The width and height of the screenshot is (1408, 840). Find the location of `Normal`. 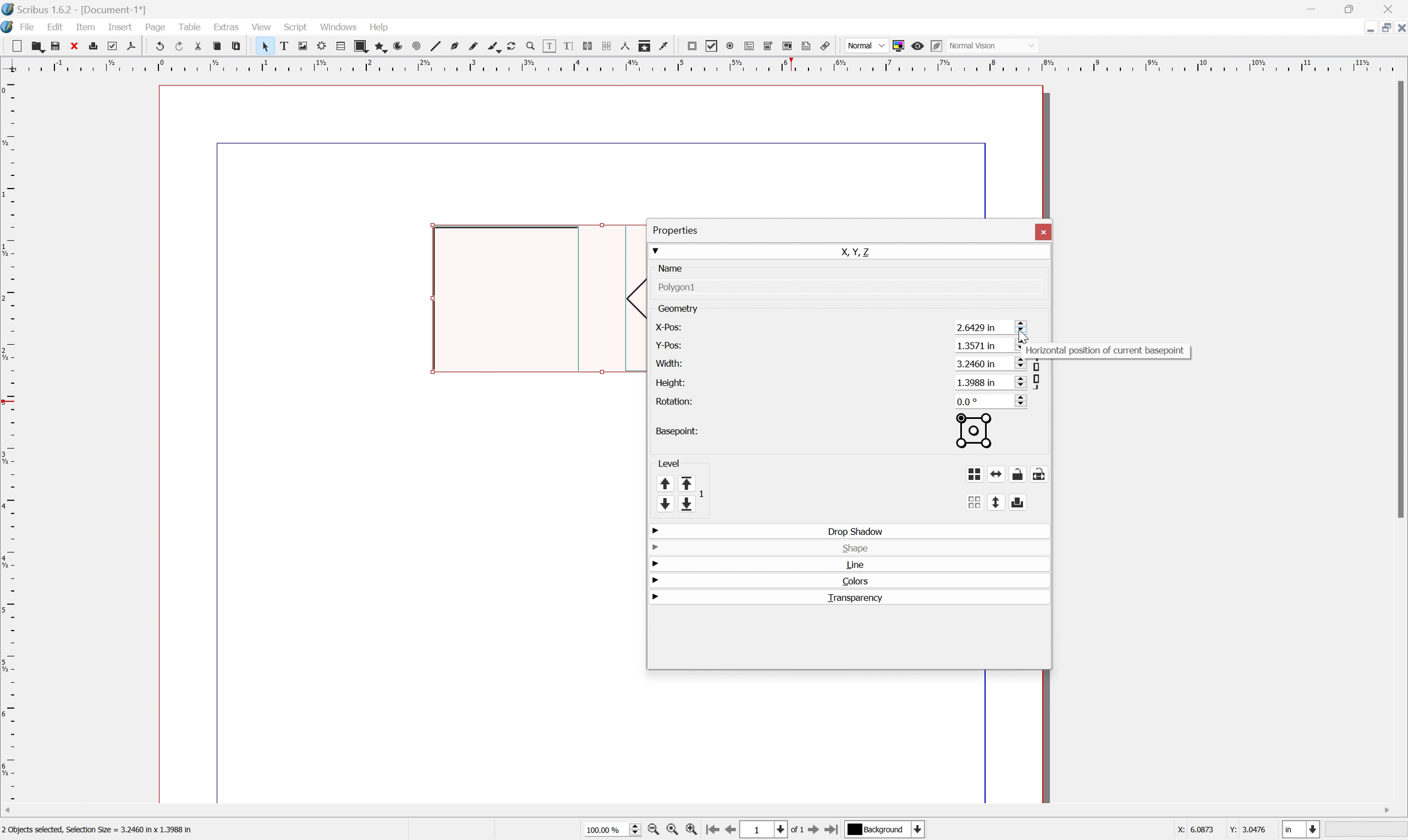

Normal is located at coordinates (866, 45).